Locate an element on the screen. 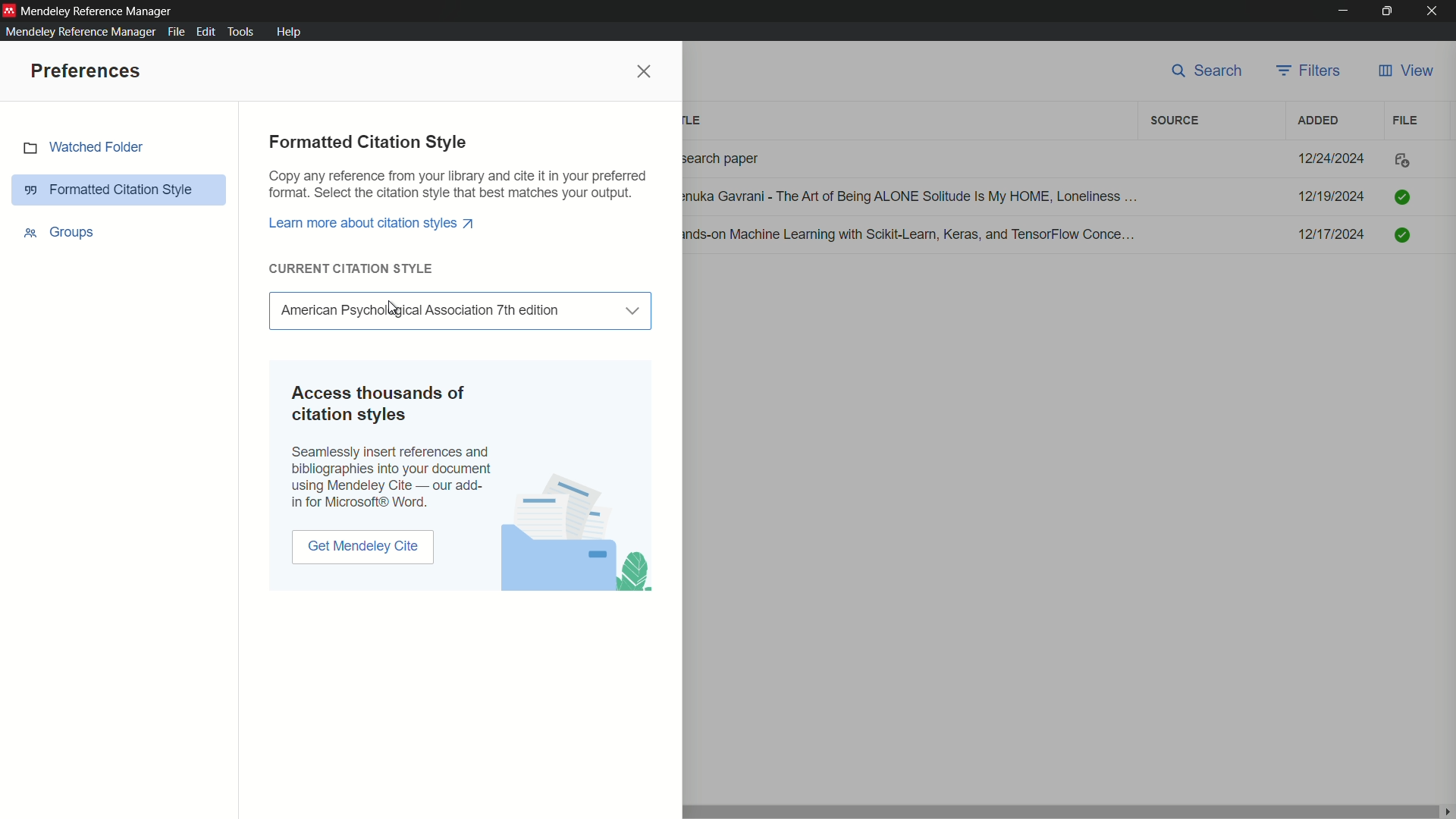  text is located at coordinates (392, 478).